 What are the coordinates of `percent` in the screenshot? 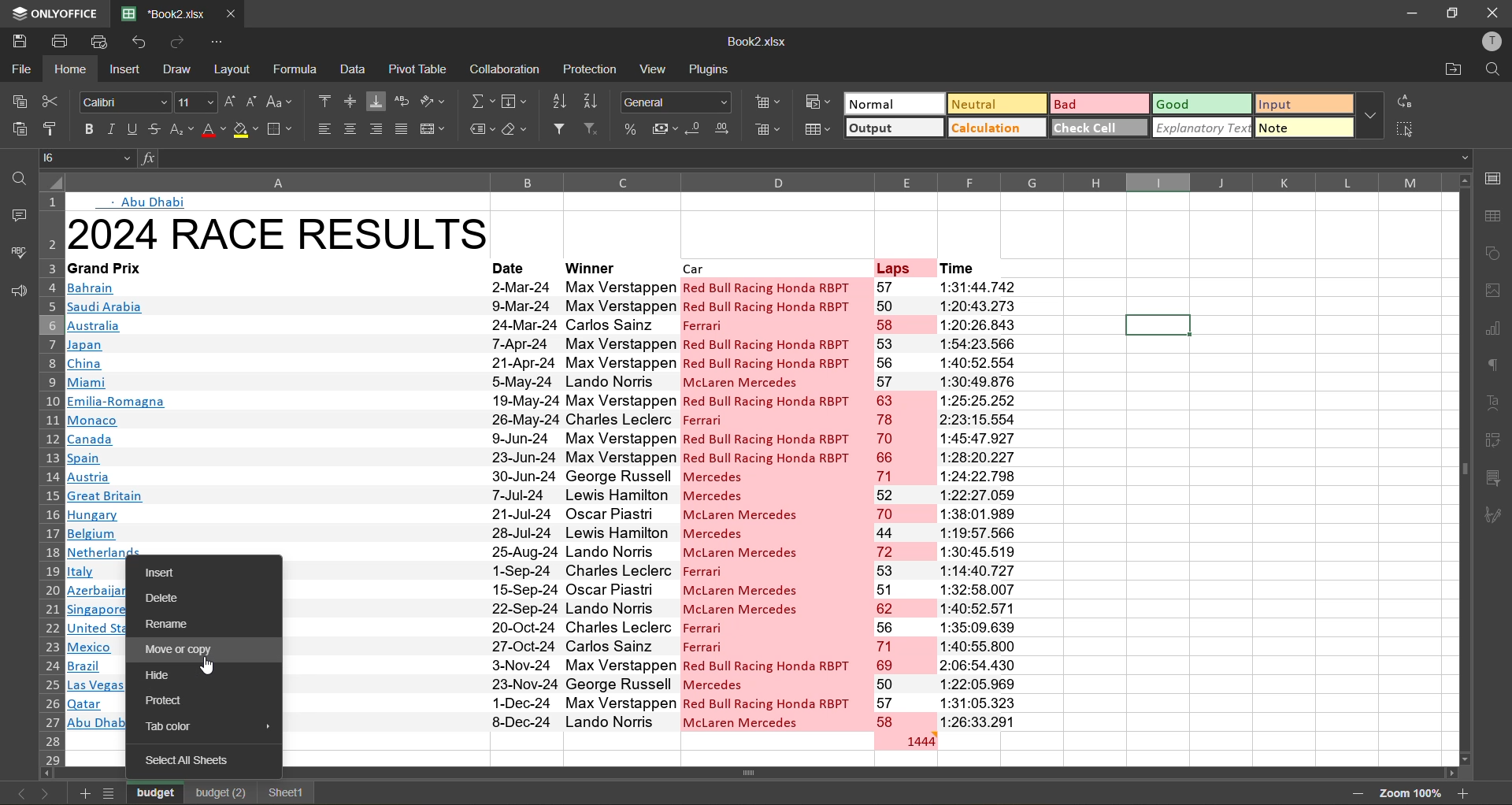 It's located at (632, 128).